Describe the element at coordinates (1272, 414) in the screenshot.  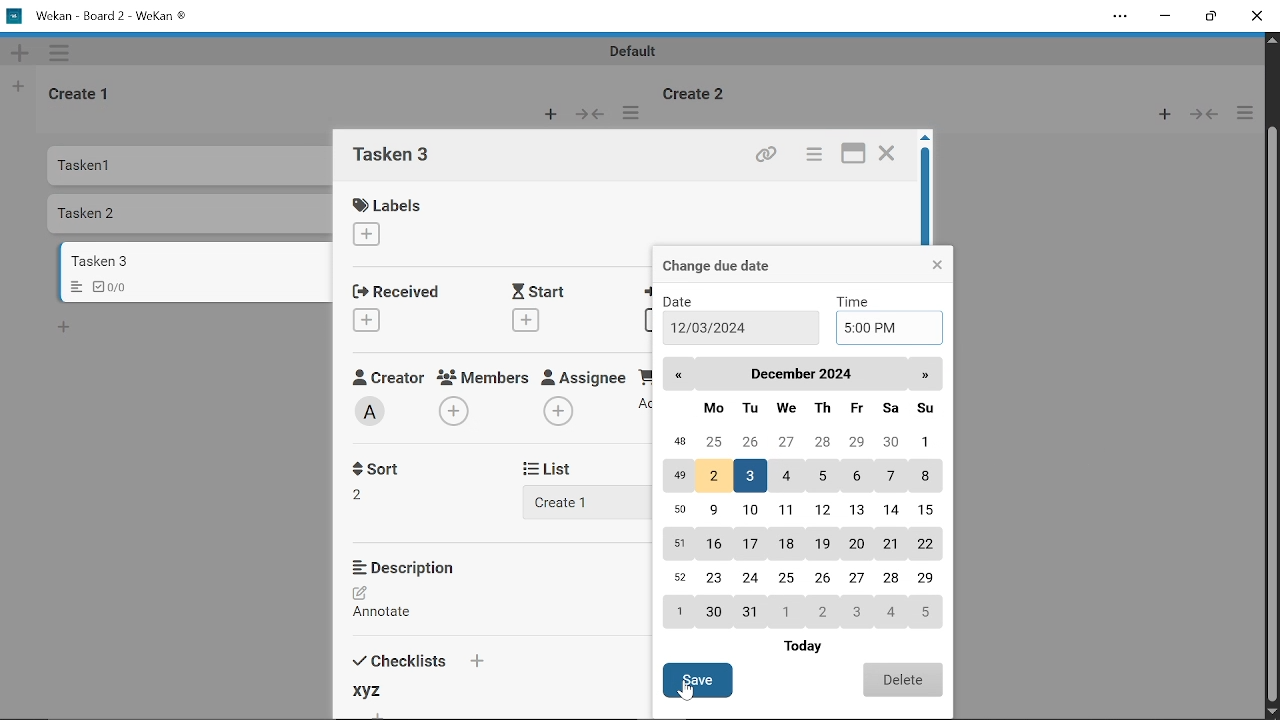
I see `Vertical scrollbar` at that location.